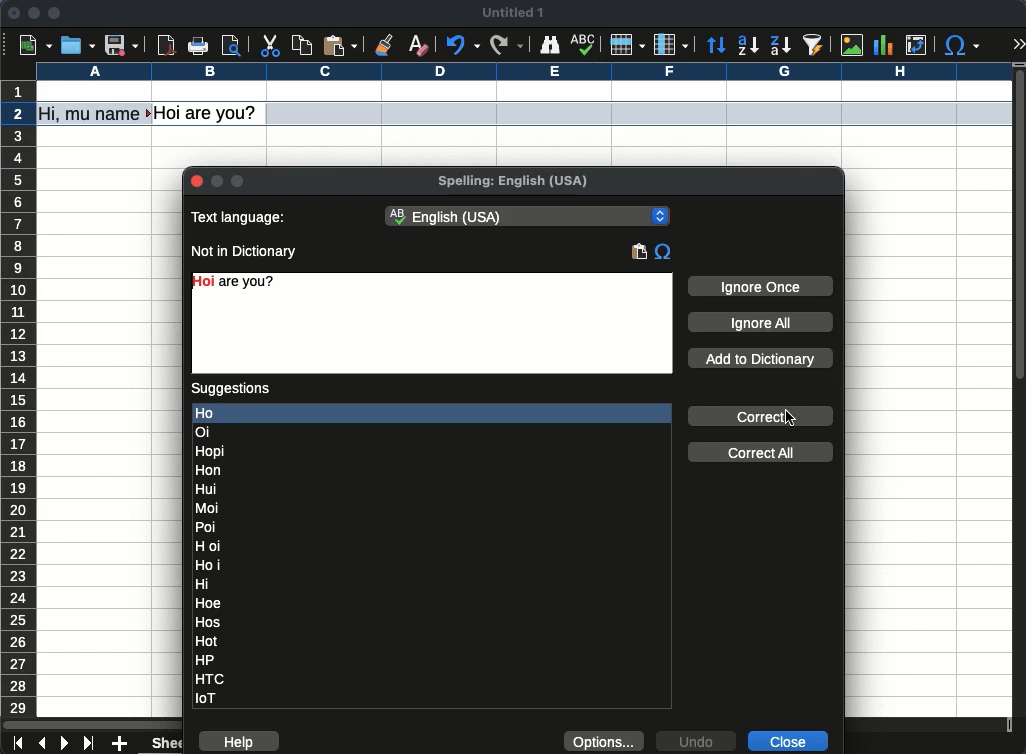 The image size is (1026, 754). Describe the element at coordinates (639, 113) in the screenshot. I see `row selected` at that location.